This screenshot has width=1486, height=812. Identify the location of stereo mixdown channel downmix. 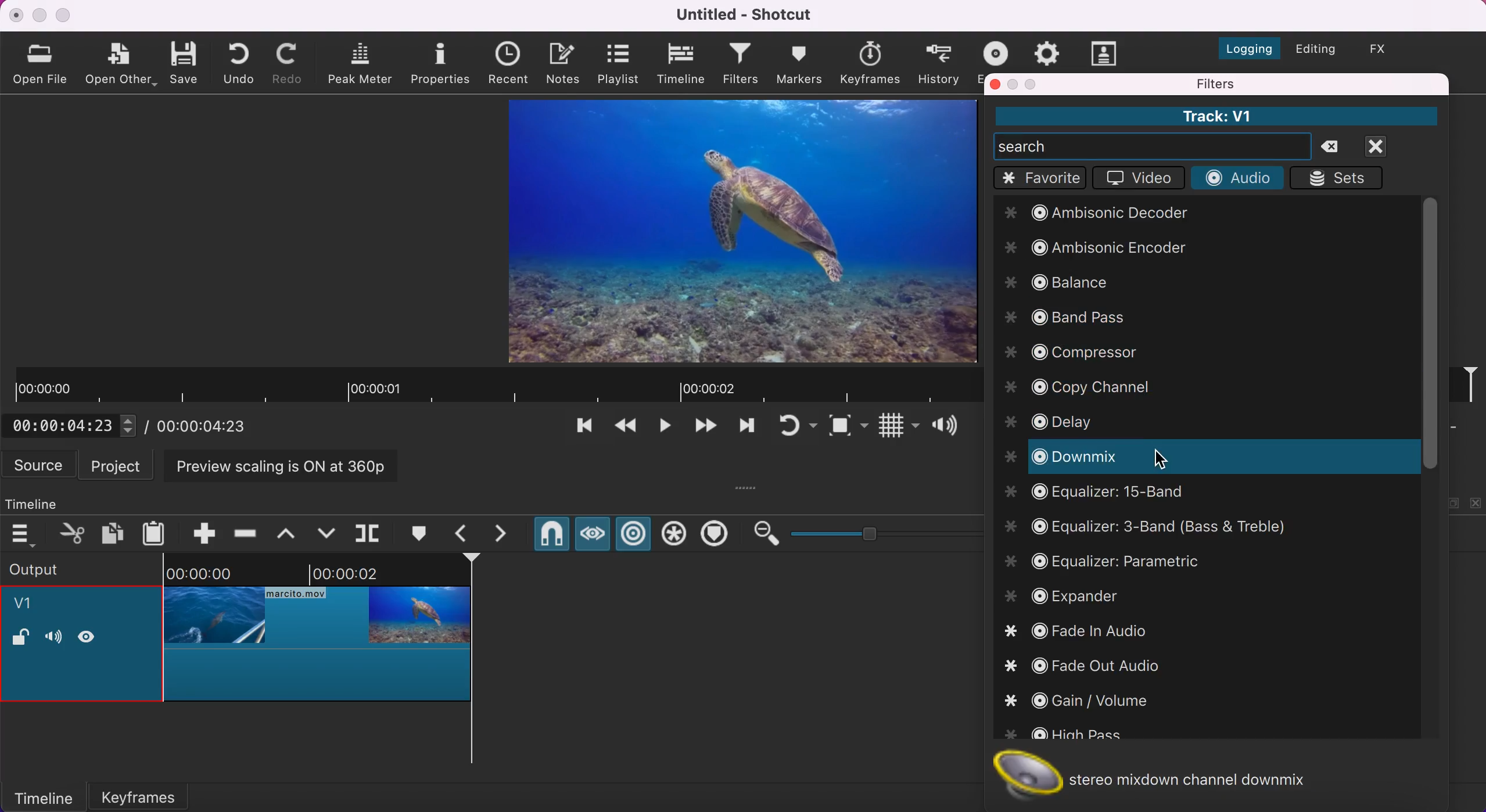
(1165, 775).